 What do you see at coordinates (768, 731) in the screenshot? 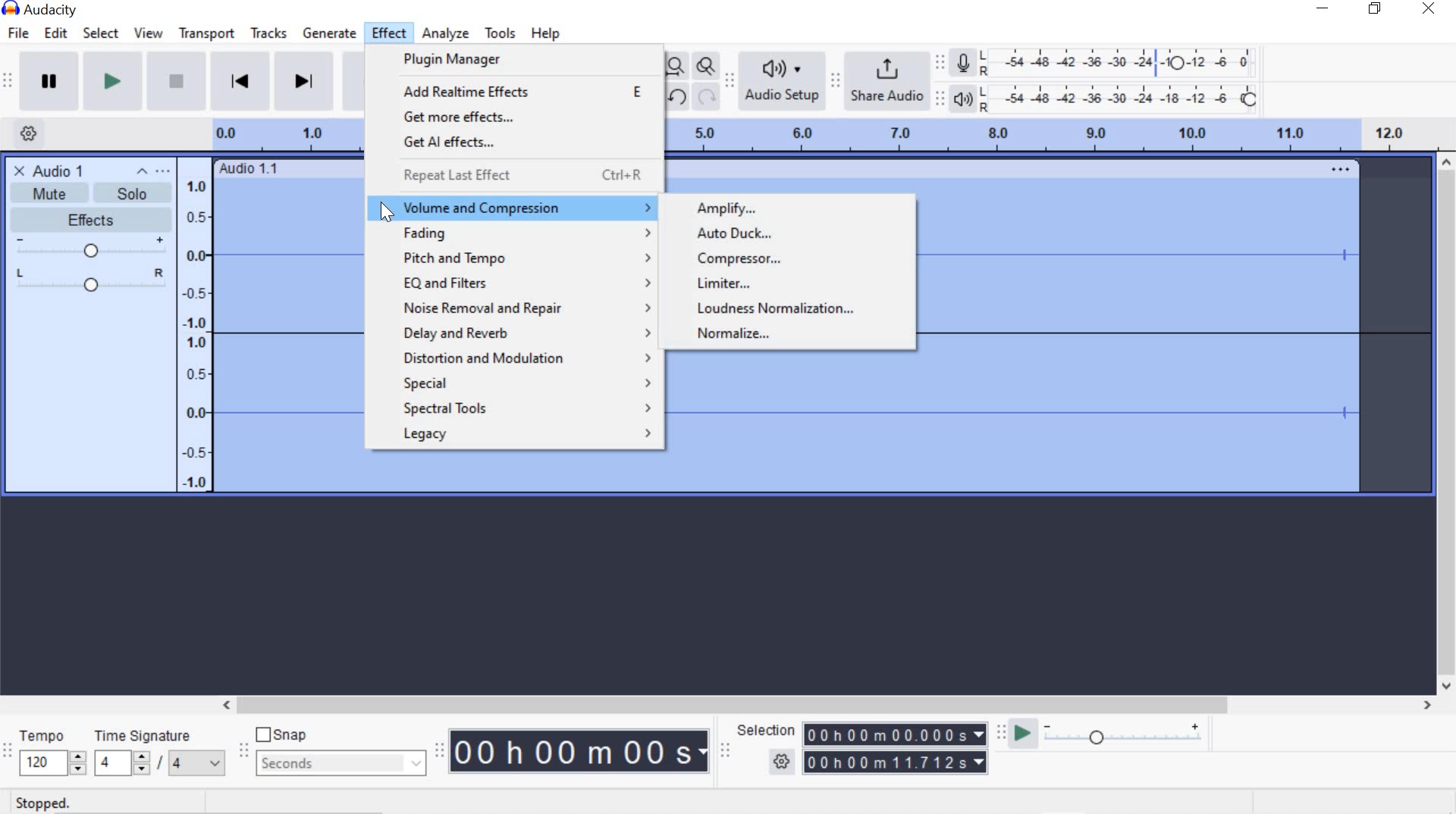
I see `SELECTION` at bounding box center [768, 731].